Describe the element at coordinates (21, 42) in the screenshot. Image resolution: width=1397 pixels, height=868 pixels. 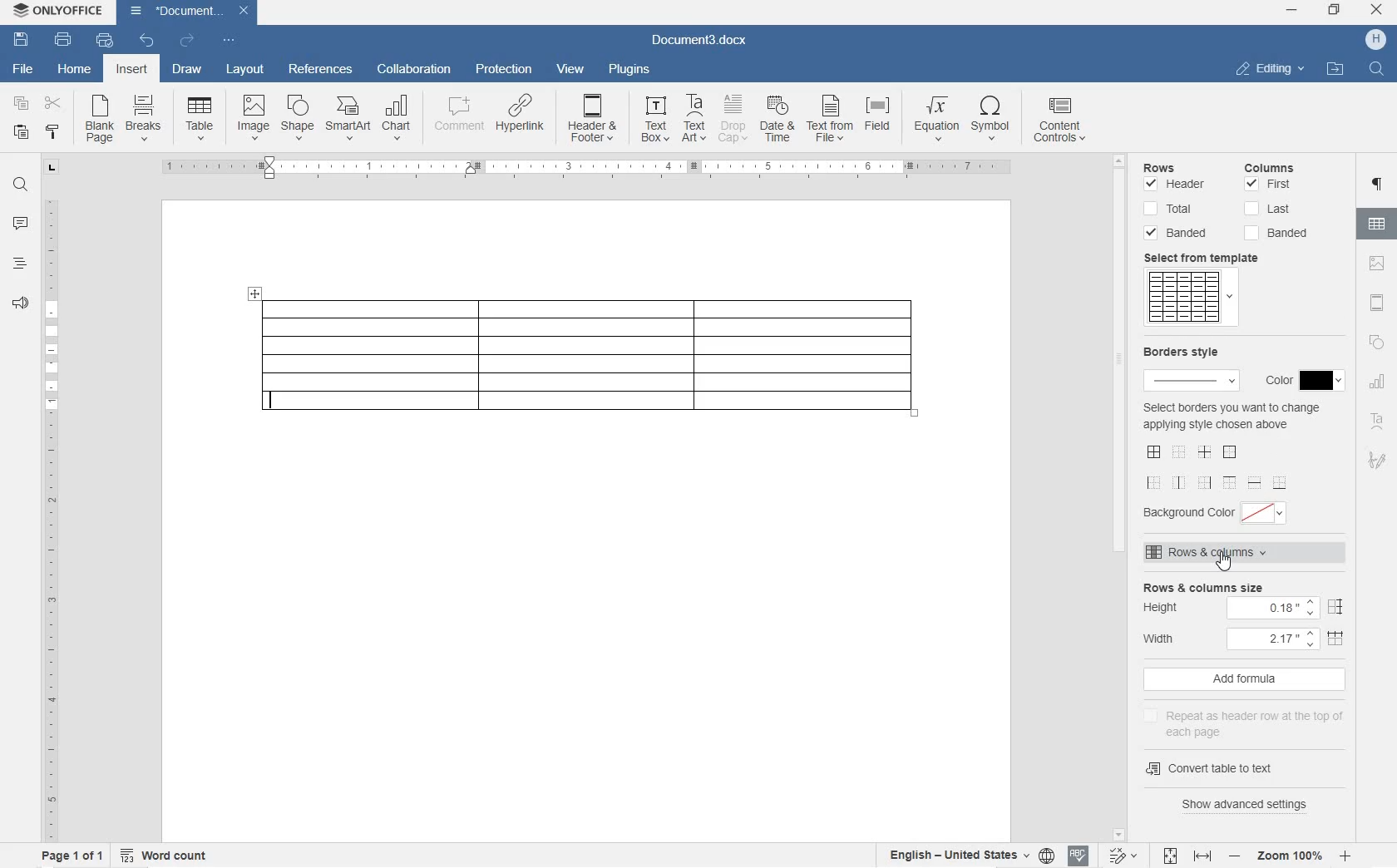
I see `SAVE` at that location.